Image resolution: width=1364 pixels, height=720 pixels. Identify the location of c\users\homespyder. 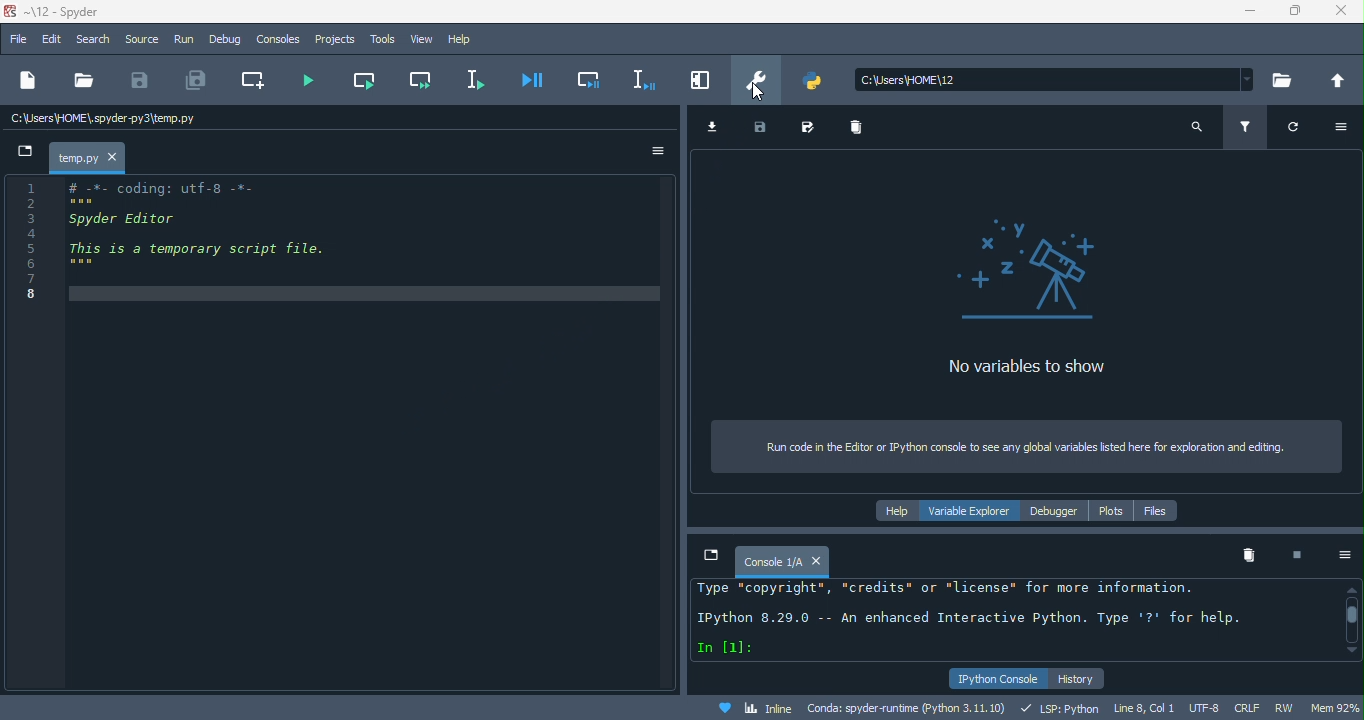
(104, 120).